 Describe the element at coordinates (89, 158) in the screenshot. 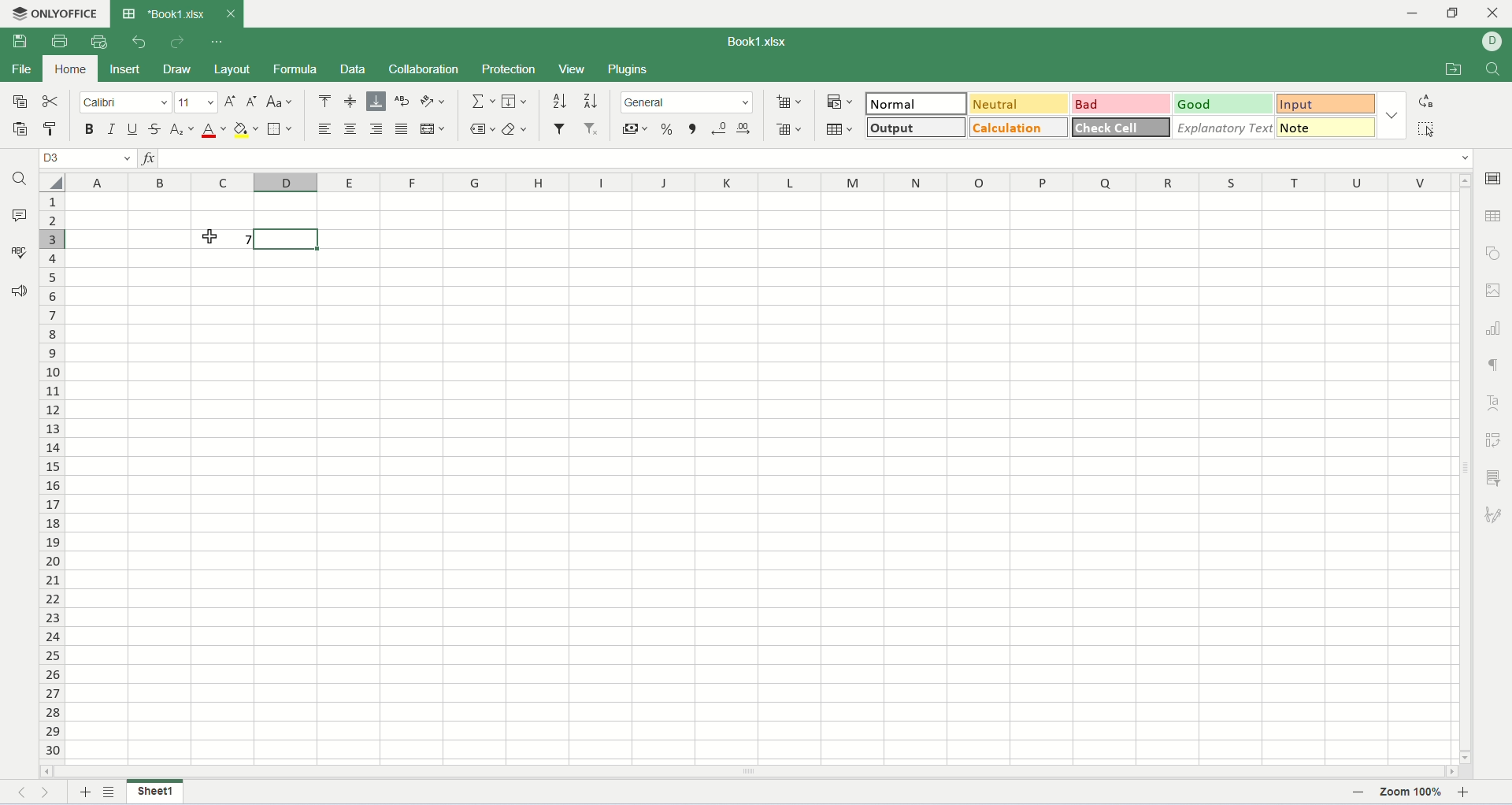

I see `cell name` at that location.